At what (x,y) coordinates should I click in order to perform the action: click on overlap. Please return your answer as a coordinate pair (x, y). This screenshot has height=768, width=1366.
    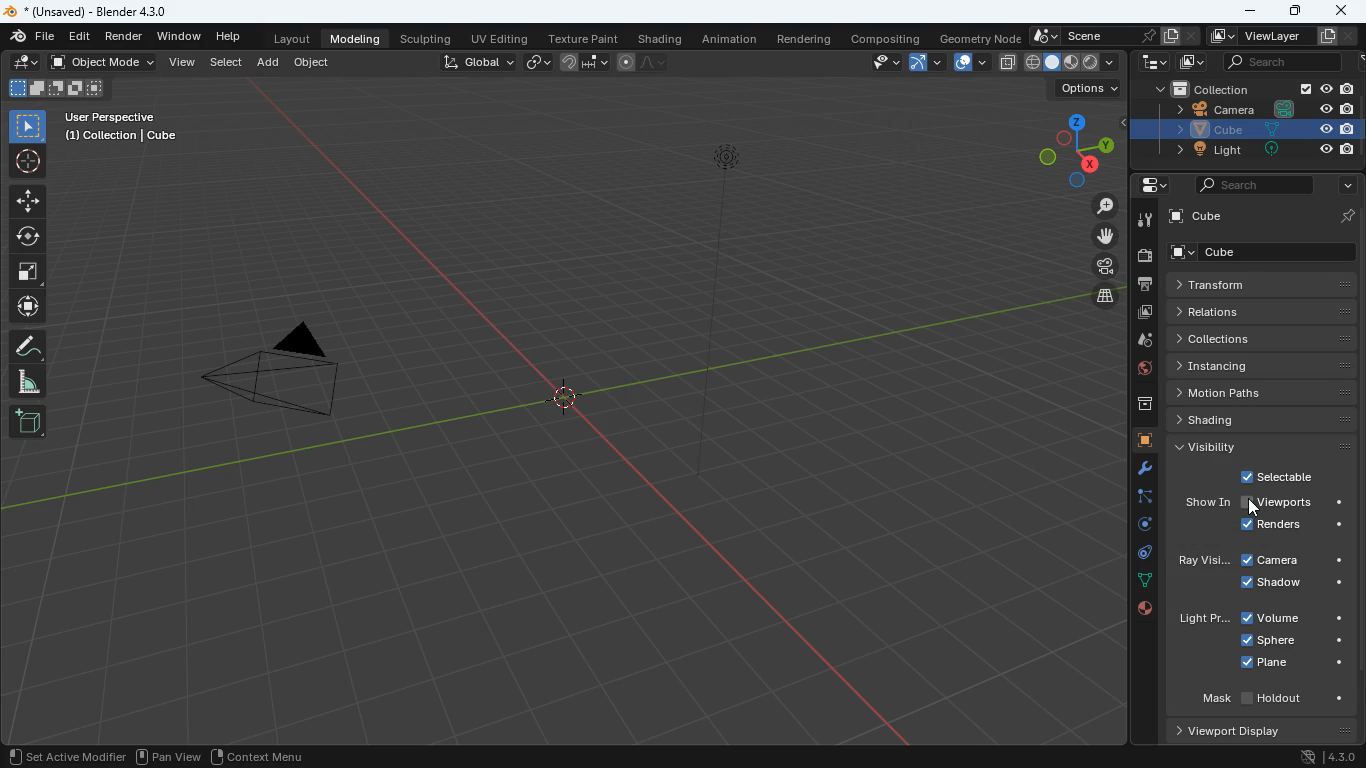
    Looking at the image, I should click on (972, 61).